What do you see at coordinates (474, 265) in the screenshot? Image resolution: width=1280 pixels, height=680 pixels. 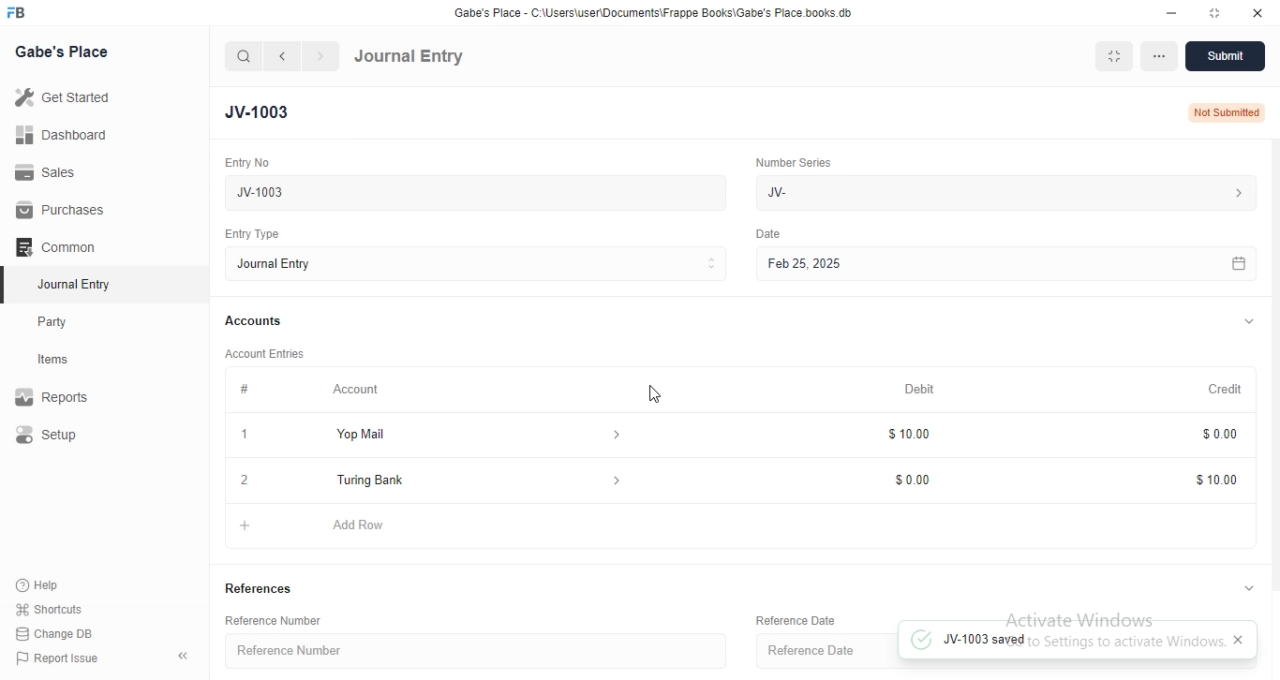 I see `Journal Entry` at bounding box center [474, 265].